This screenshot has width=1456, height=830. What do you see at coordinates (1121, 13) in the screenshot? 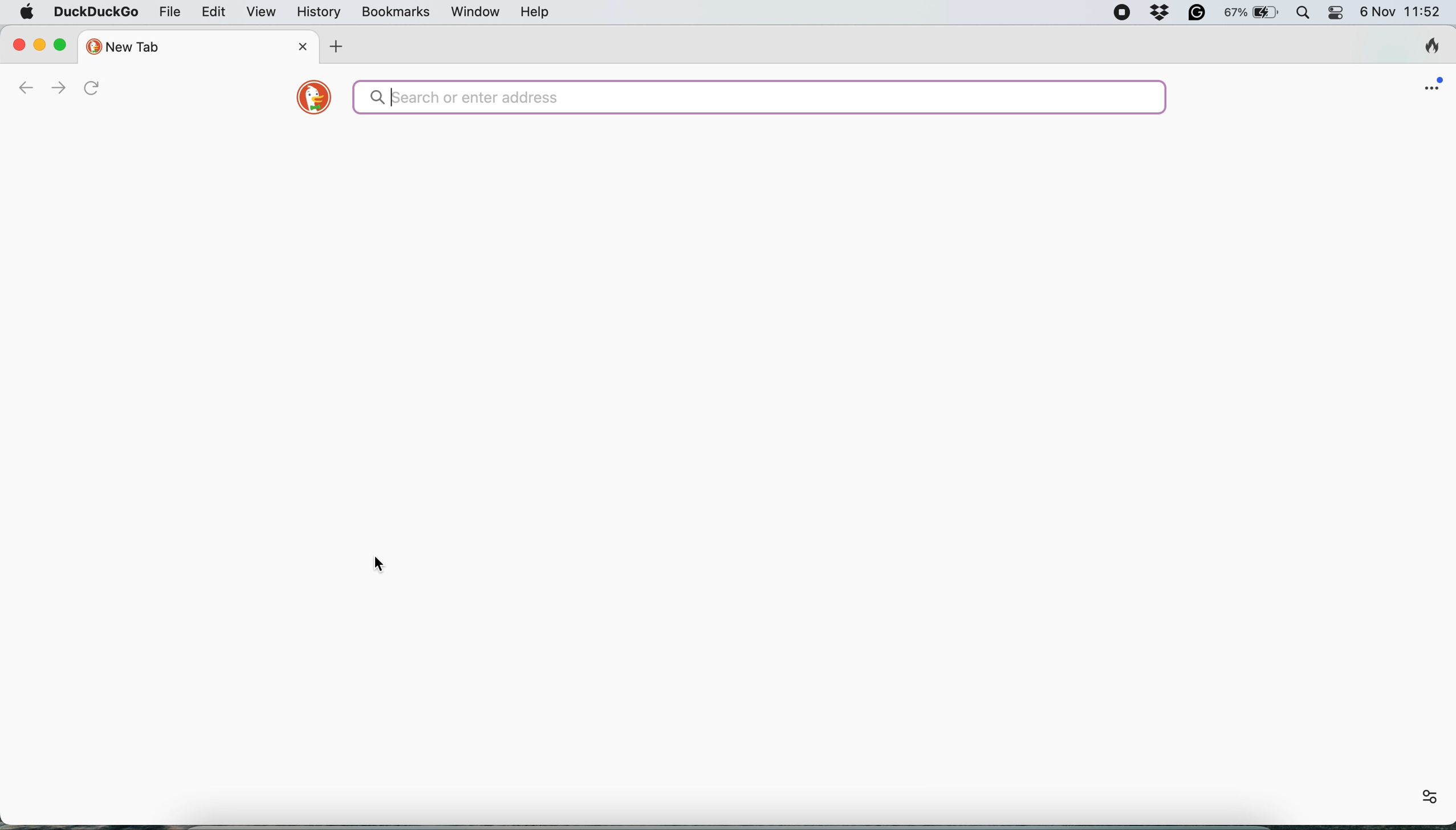
I see `screen recorder` at bounding box center [1121, 13].